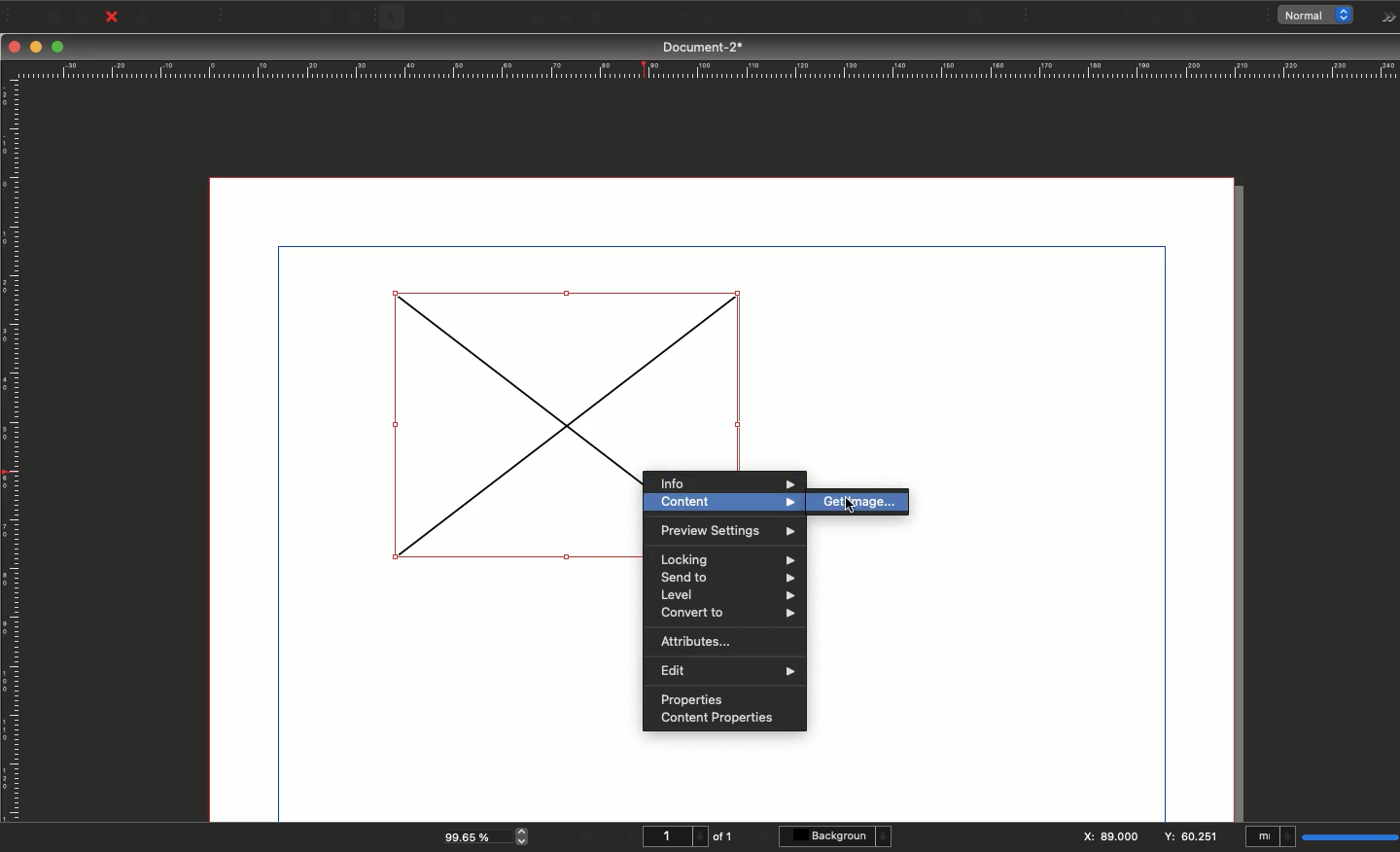 This screenshot has width=1400, height=852. Describe the element at coordinates (723, 481) in the screenshot. I see `Info` at that location.